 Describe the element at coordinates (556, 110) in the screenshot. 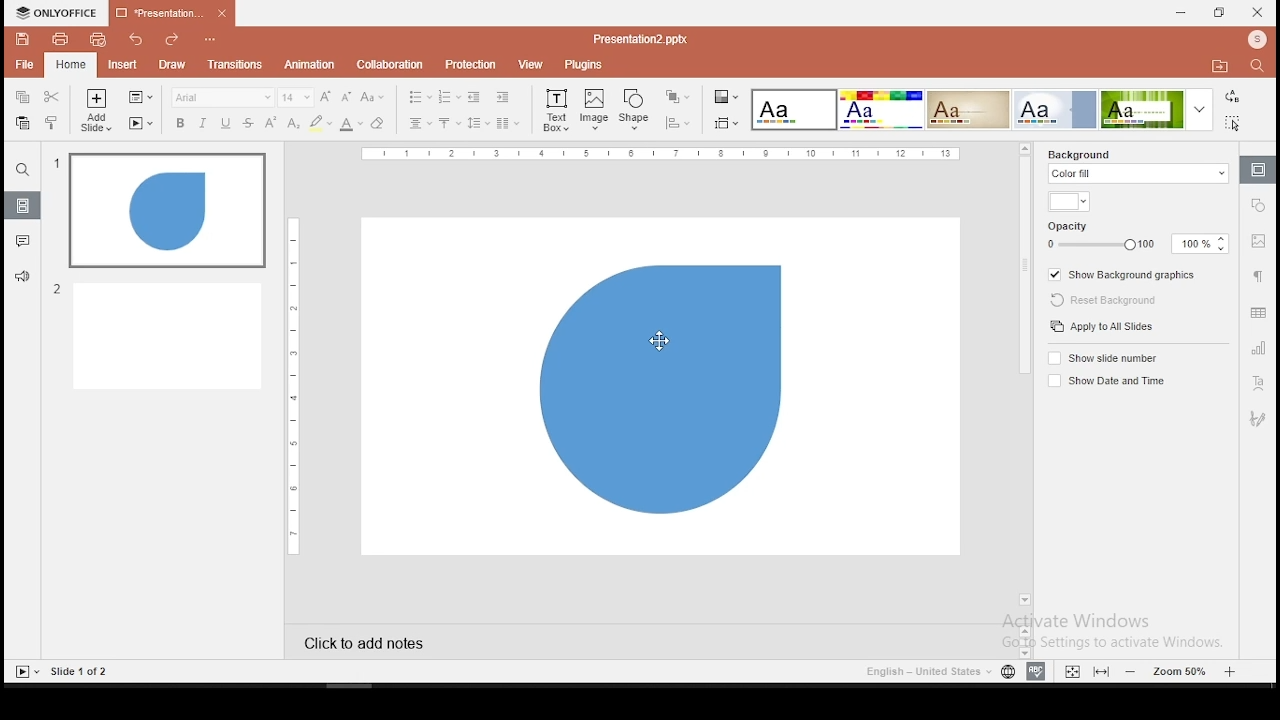

I see `text box` at that location.